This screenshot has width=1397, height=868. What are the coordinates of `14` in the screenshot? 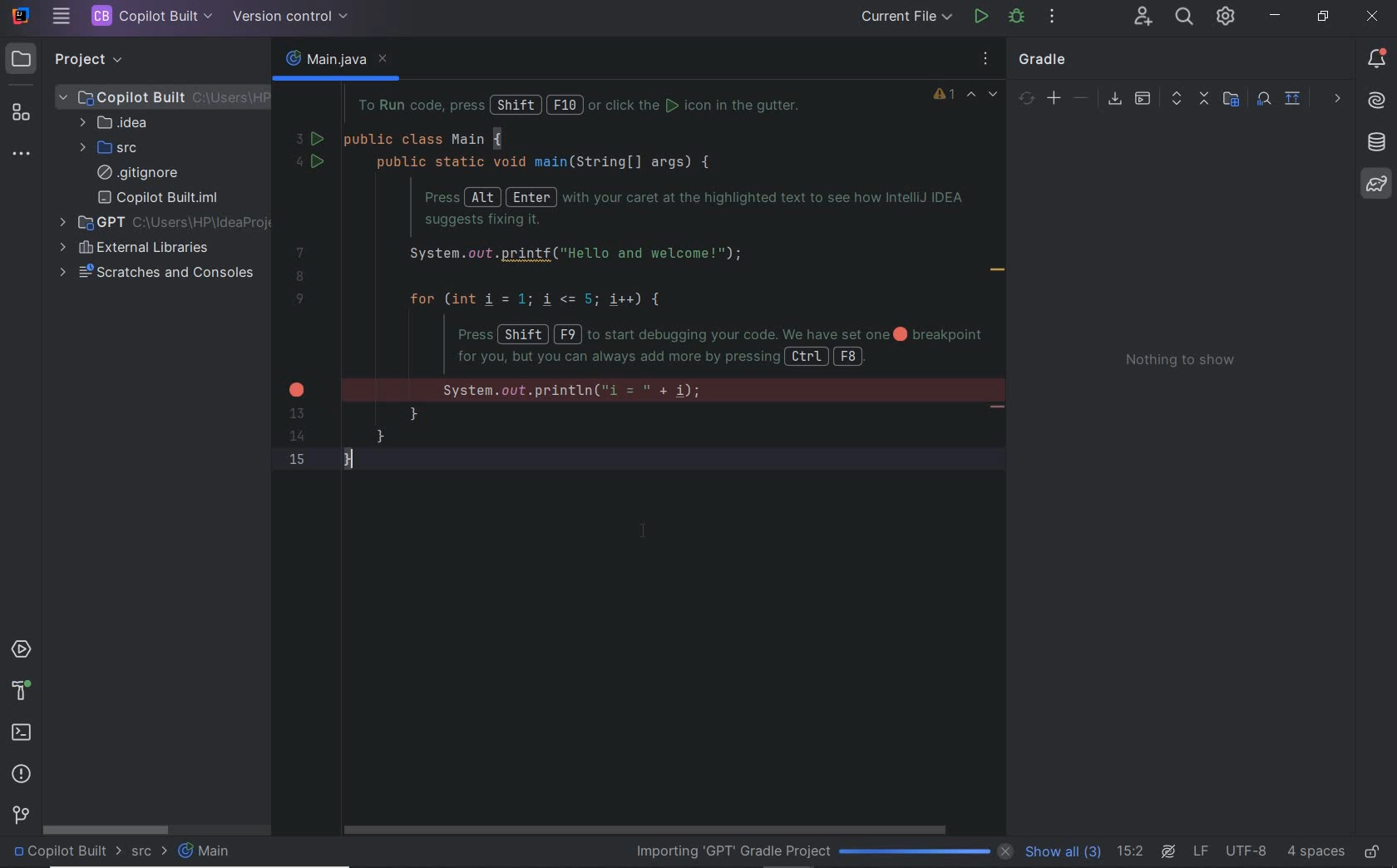 It's located at (298, 436).